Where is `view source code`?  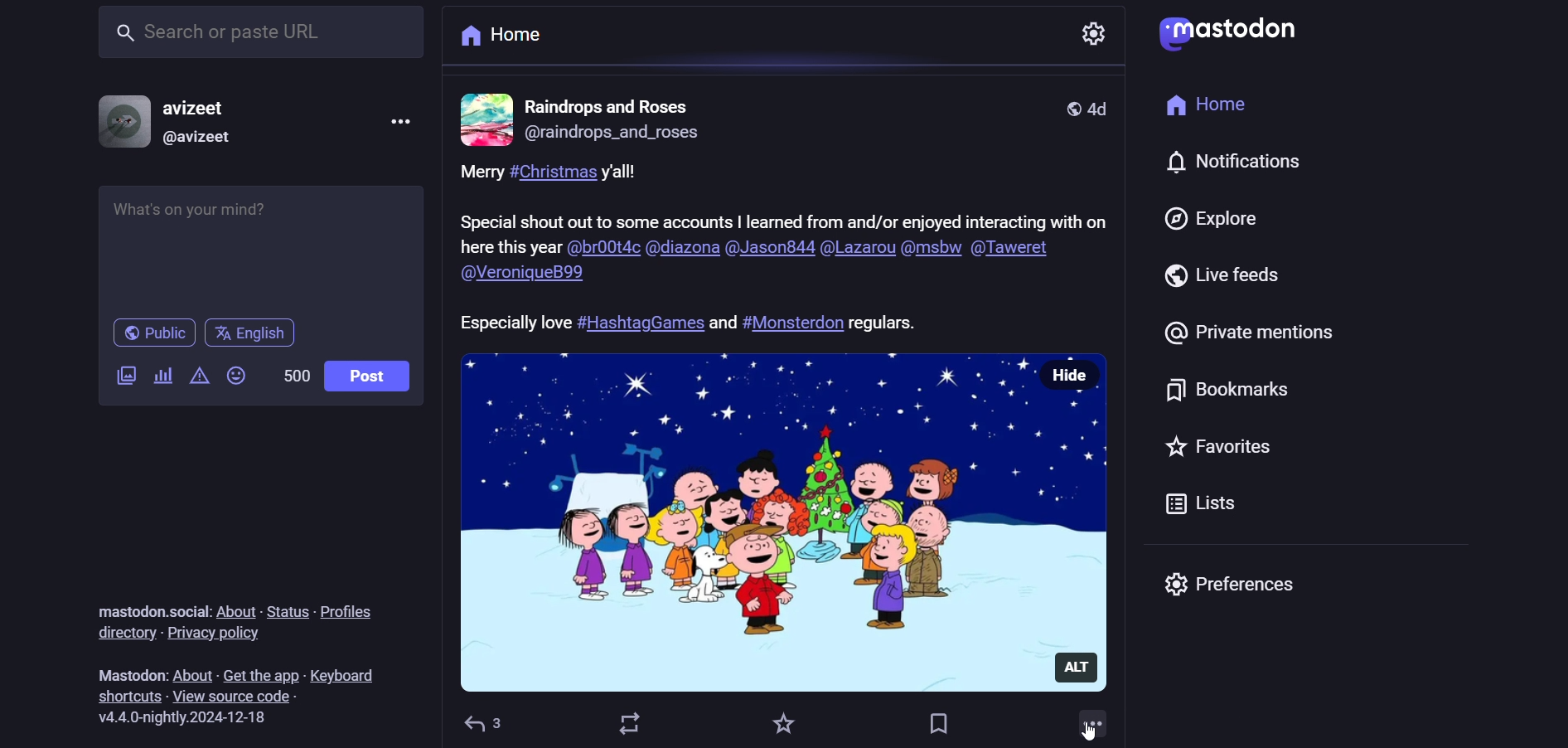 view source code is located at coordinates (235, 697).